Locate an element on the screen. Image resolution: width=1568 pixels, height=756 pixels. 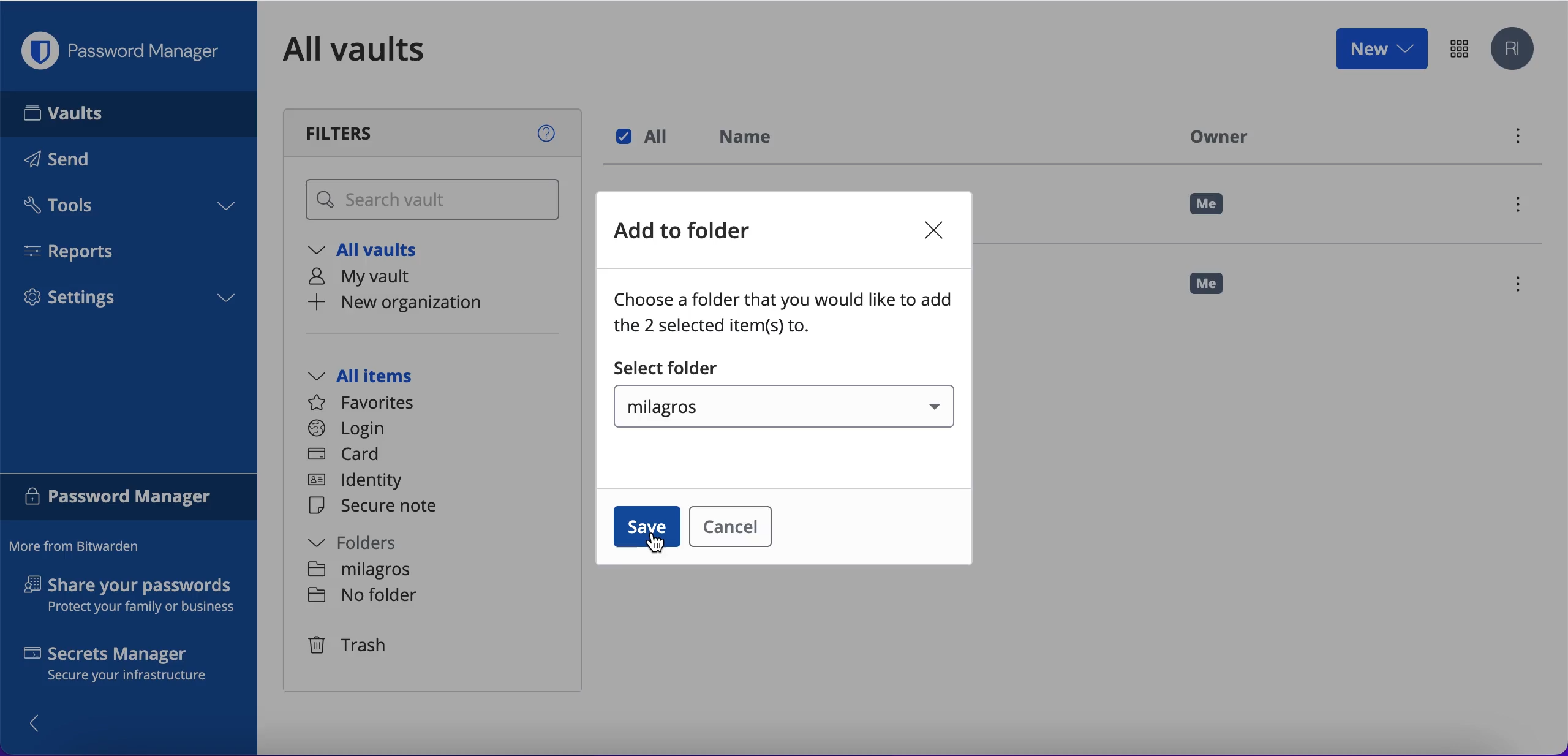
all vaults is located at coordinates (372, 252).